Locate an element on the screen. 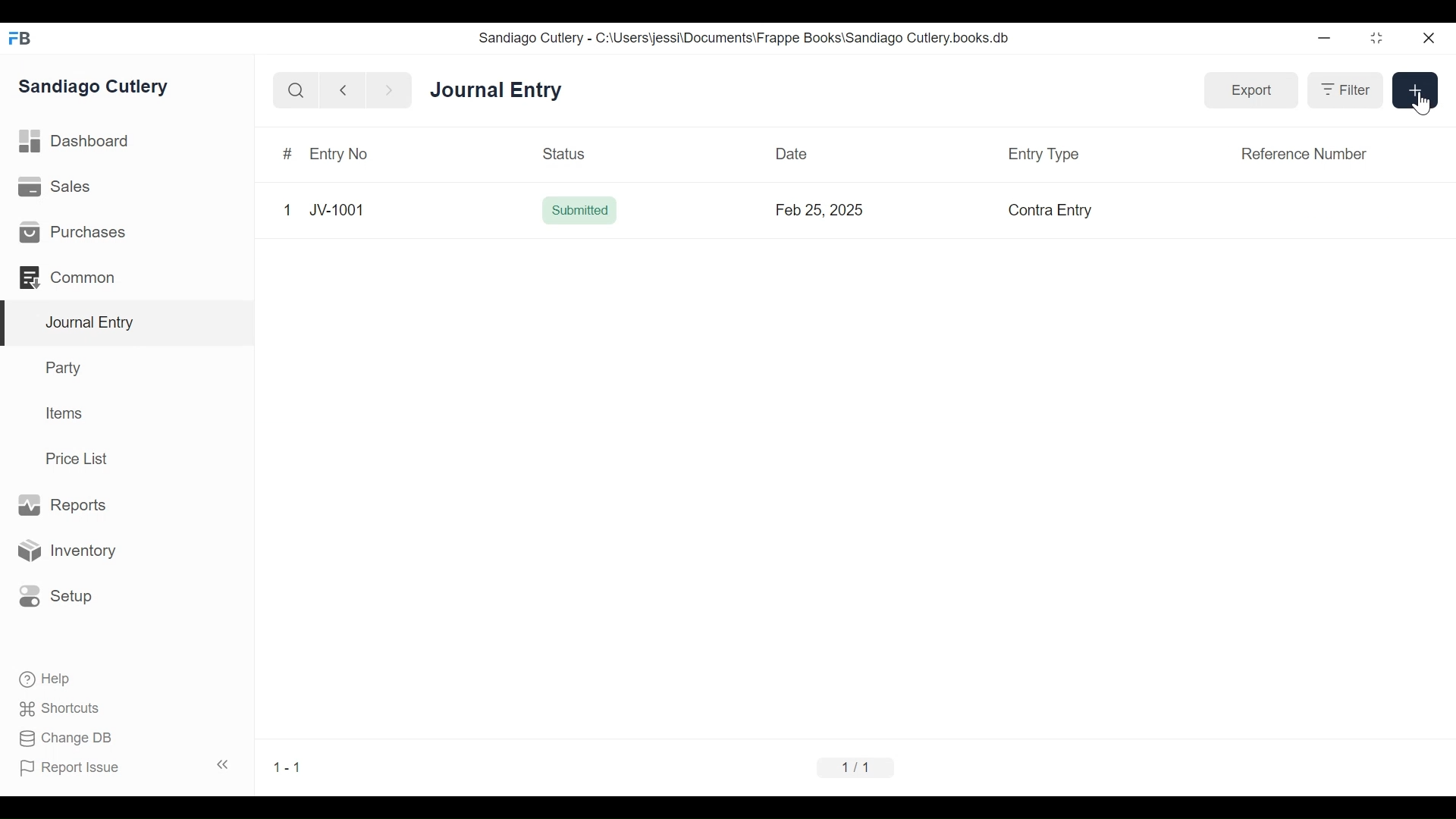 The image size is (1456, 819). Price List is located at coordinates (80, 458).